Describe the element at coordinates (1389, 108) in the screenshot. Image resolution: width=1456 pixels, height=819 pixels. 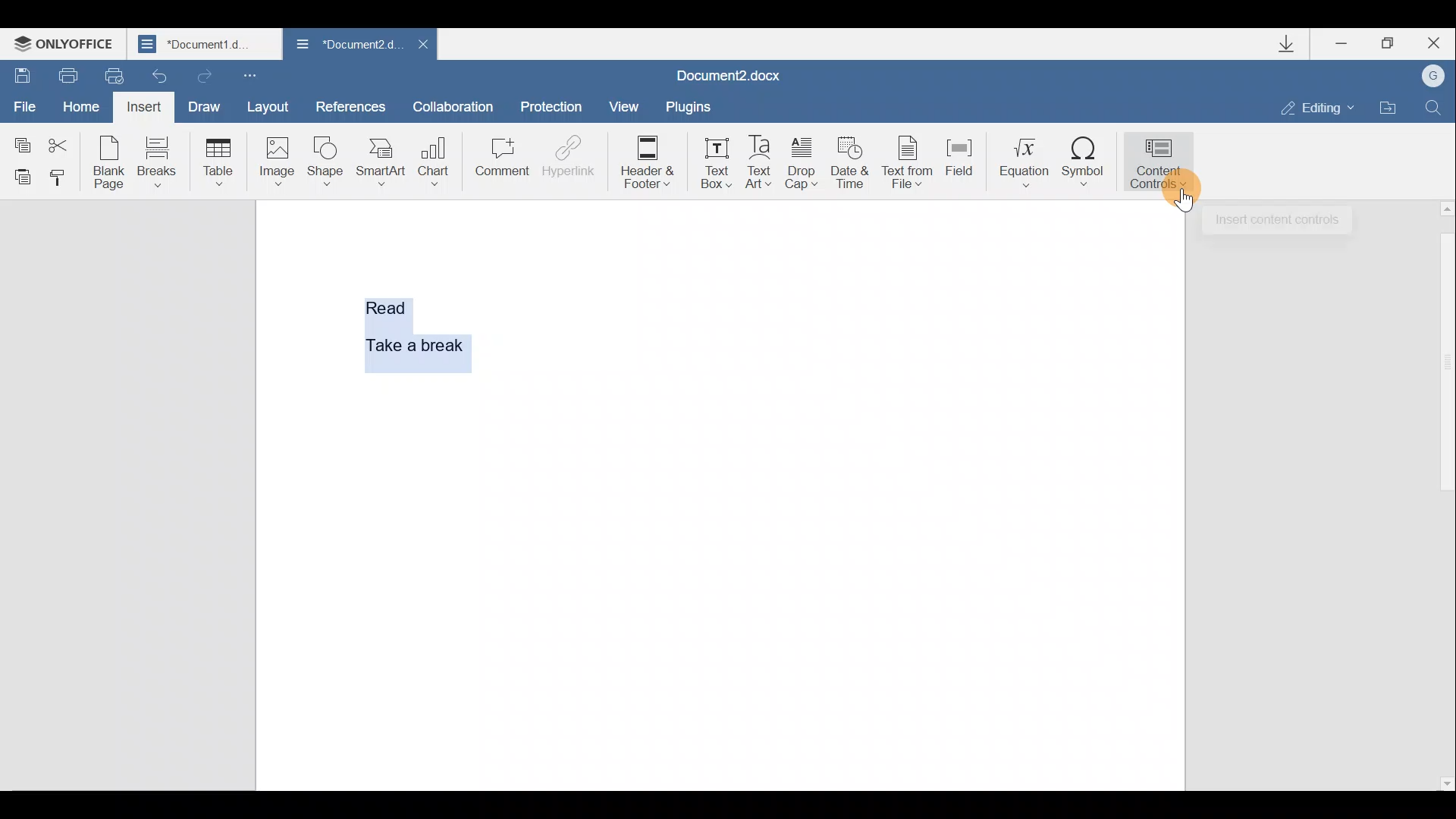
I see `Open file location` at that location.